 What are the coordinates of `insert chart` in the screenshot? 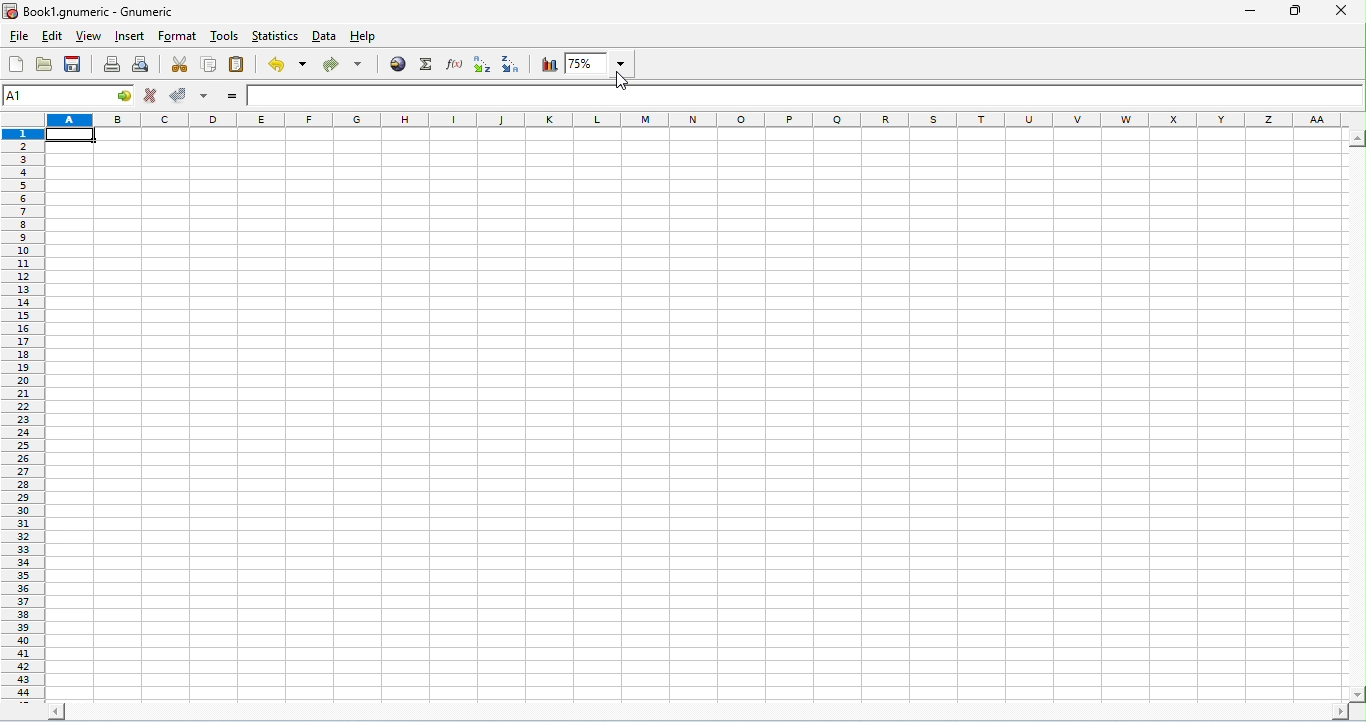 It's located at (549, 64).